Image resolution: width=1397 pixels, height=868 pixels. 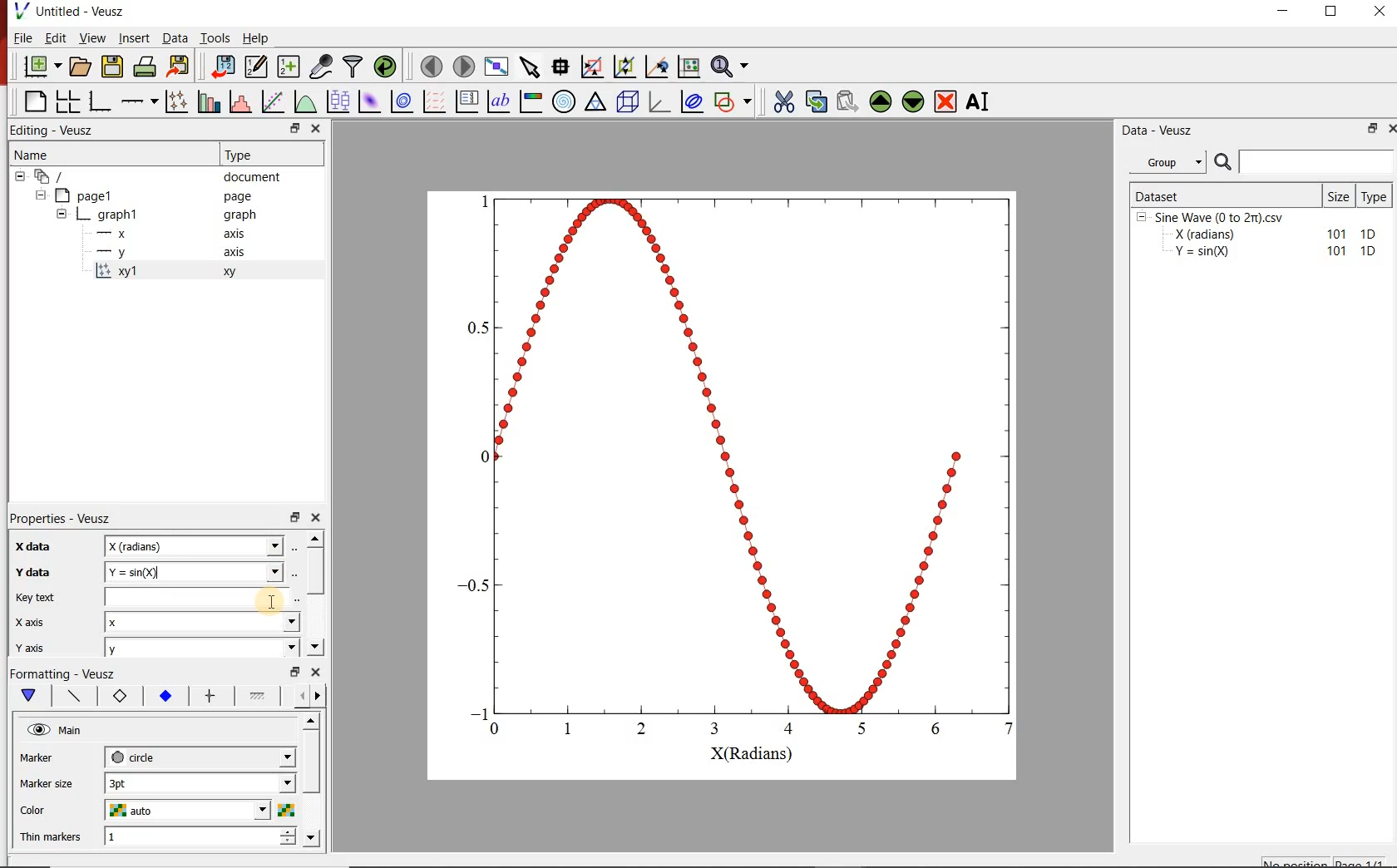 I want to click on Blank page, so click(x=35, y=101).